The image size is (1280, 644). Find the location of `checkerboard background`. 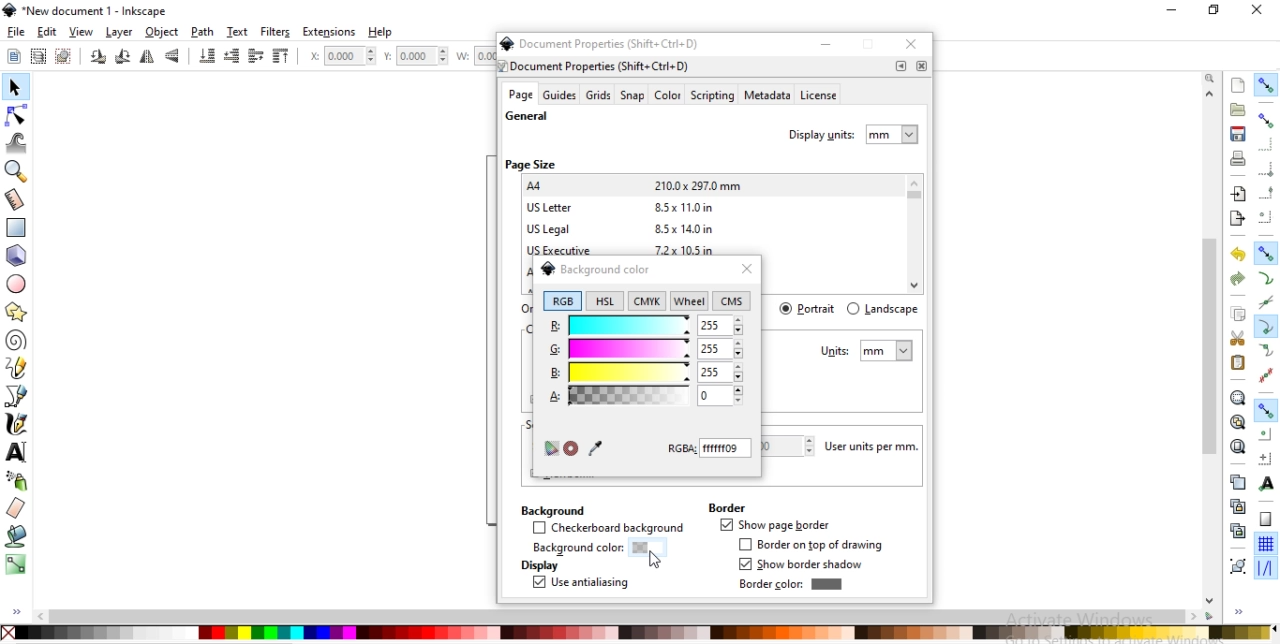

checkerboard background is located at coordinates (609, 529).